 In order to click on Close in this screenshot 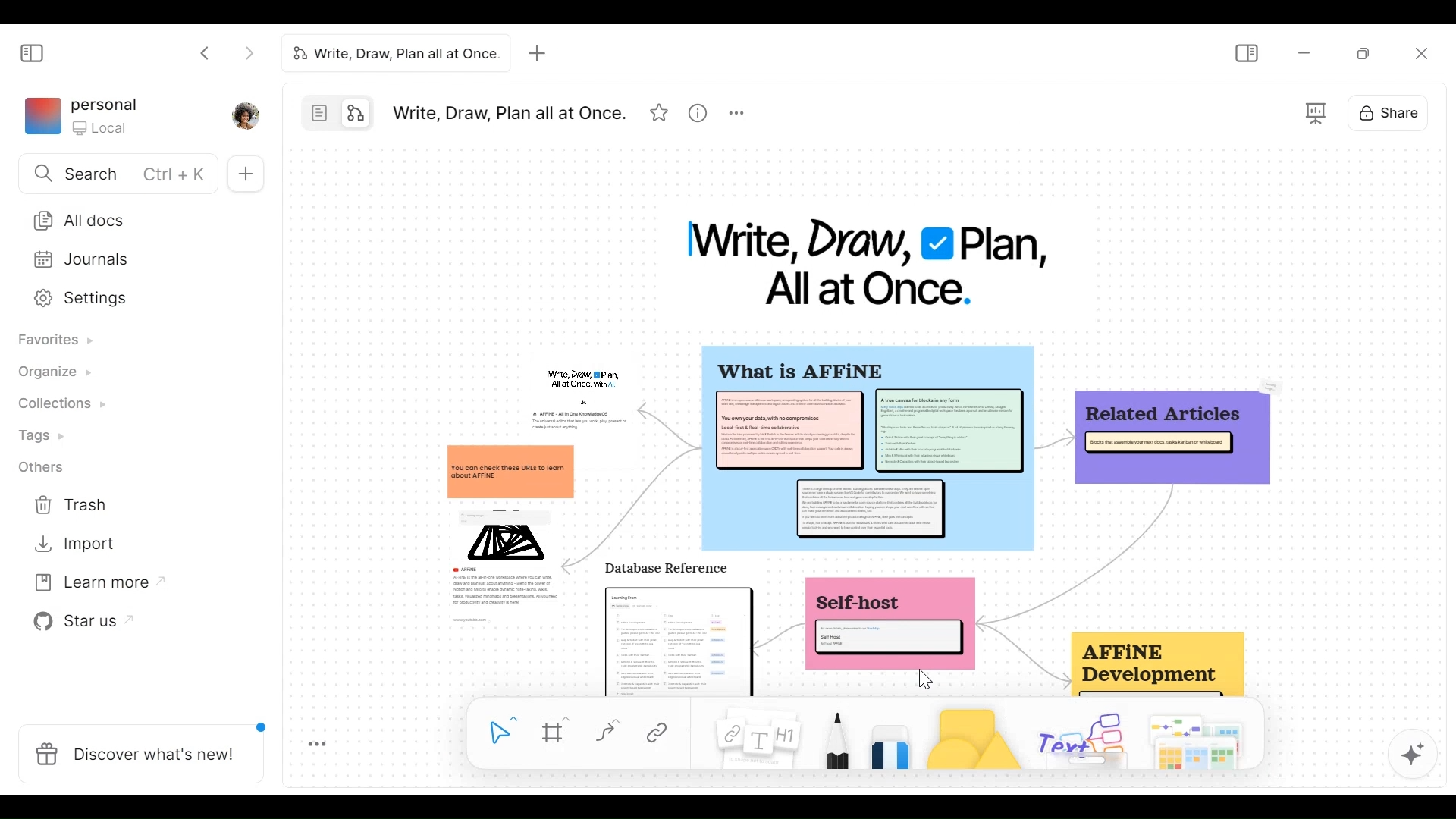, I will do `click(1421, 52)`.